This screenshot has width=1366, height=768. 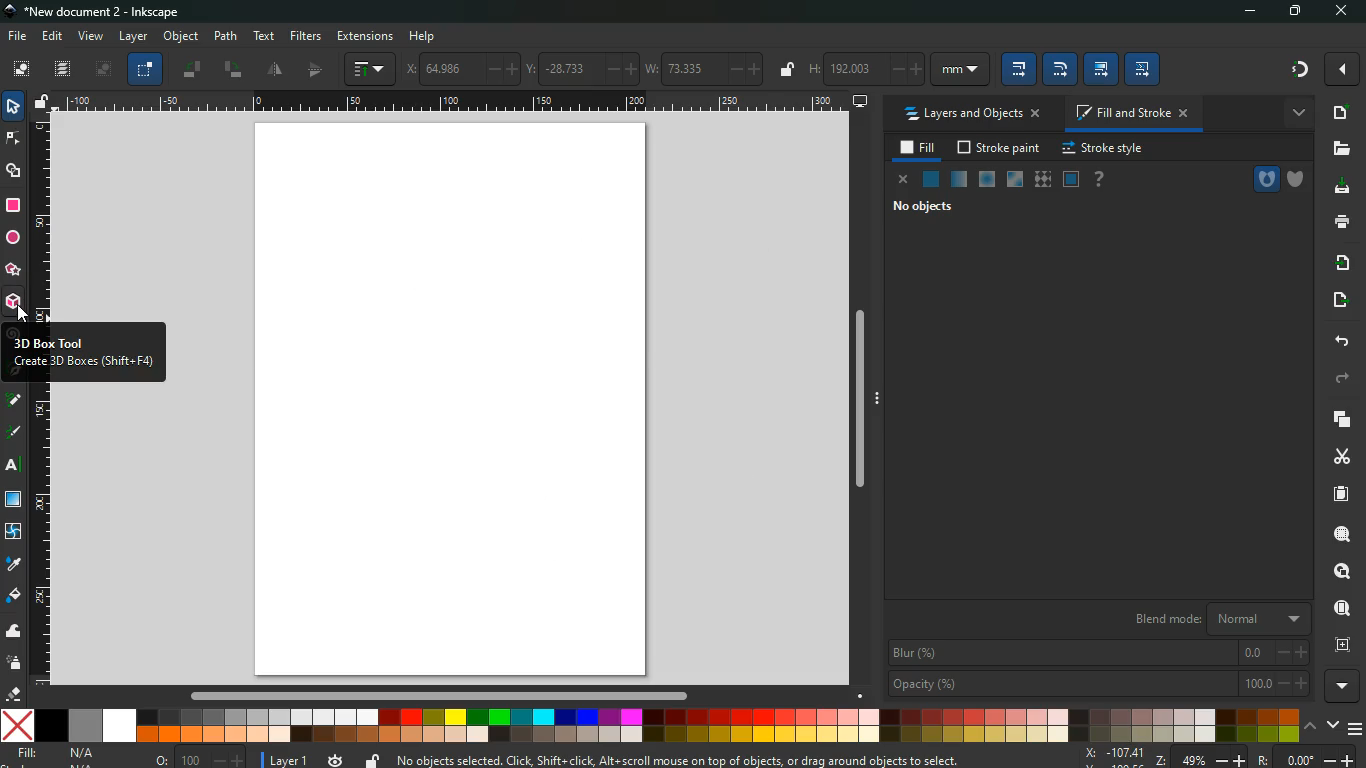 What do you see at coordinates (1130, 115) in the screenshot?
I see `fill and stroke` at bounding box center [1130, 115].